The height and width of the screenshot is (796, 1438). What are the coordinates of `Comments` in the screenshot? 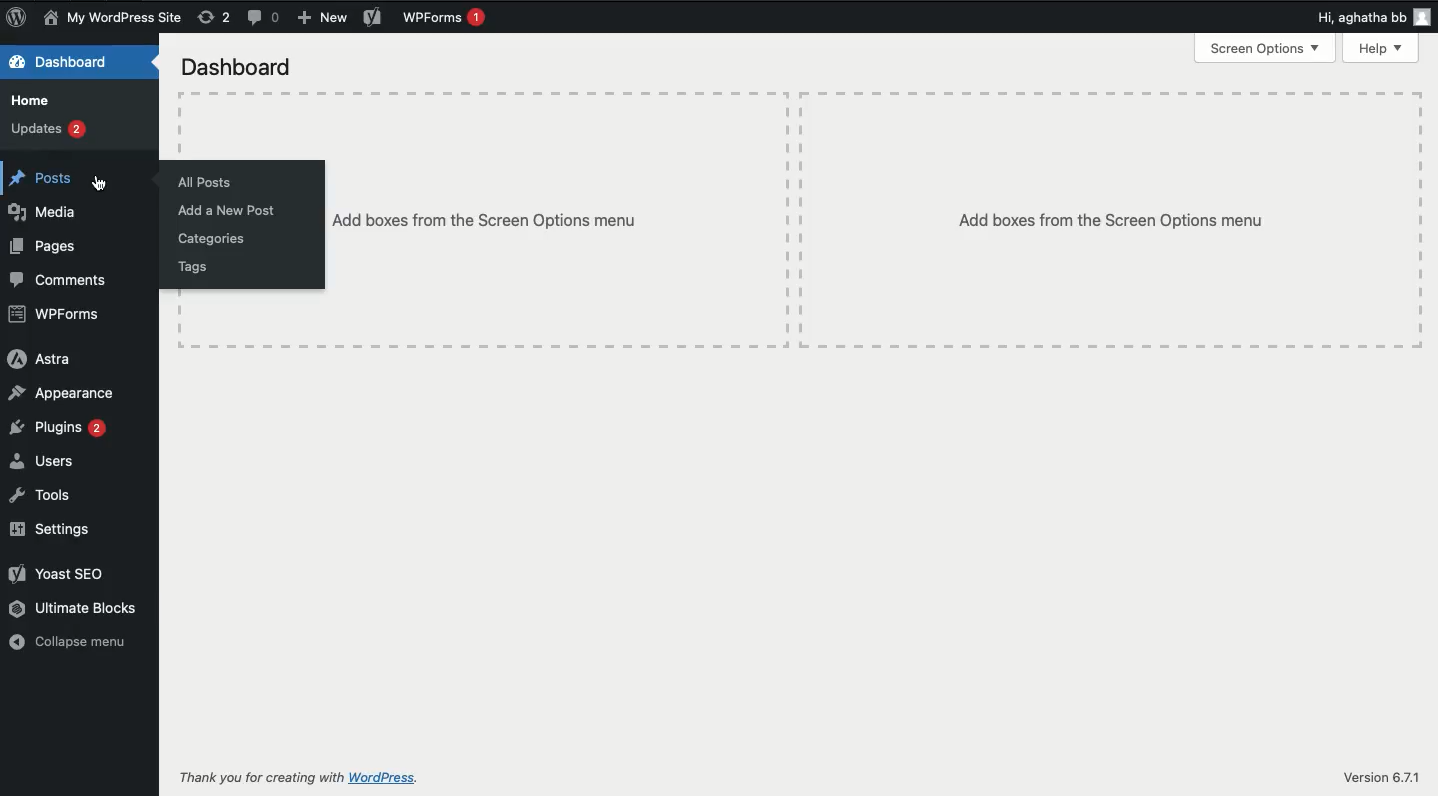 It's located at (261, 18).